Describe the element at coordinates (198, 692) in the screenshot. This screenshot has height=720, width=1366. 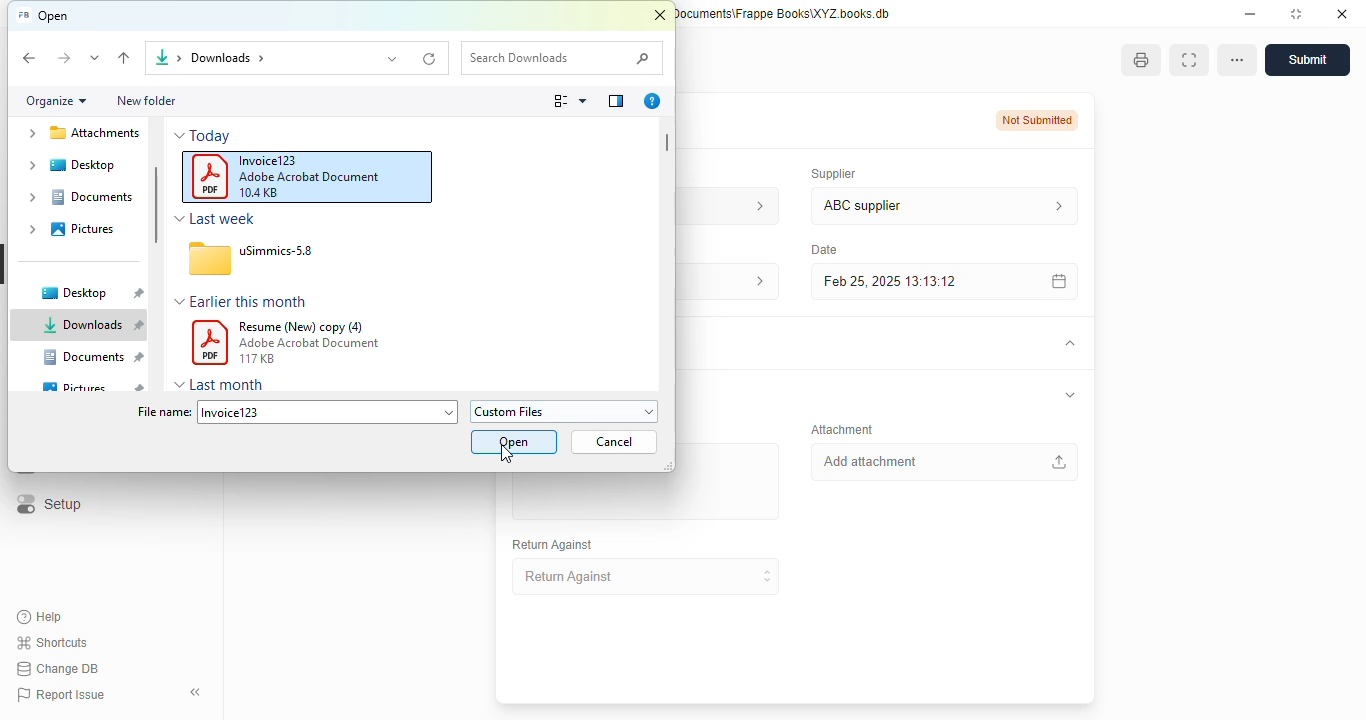
I see `toggle sidebar` at that location.